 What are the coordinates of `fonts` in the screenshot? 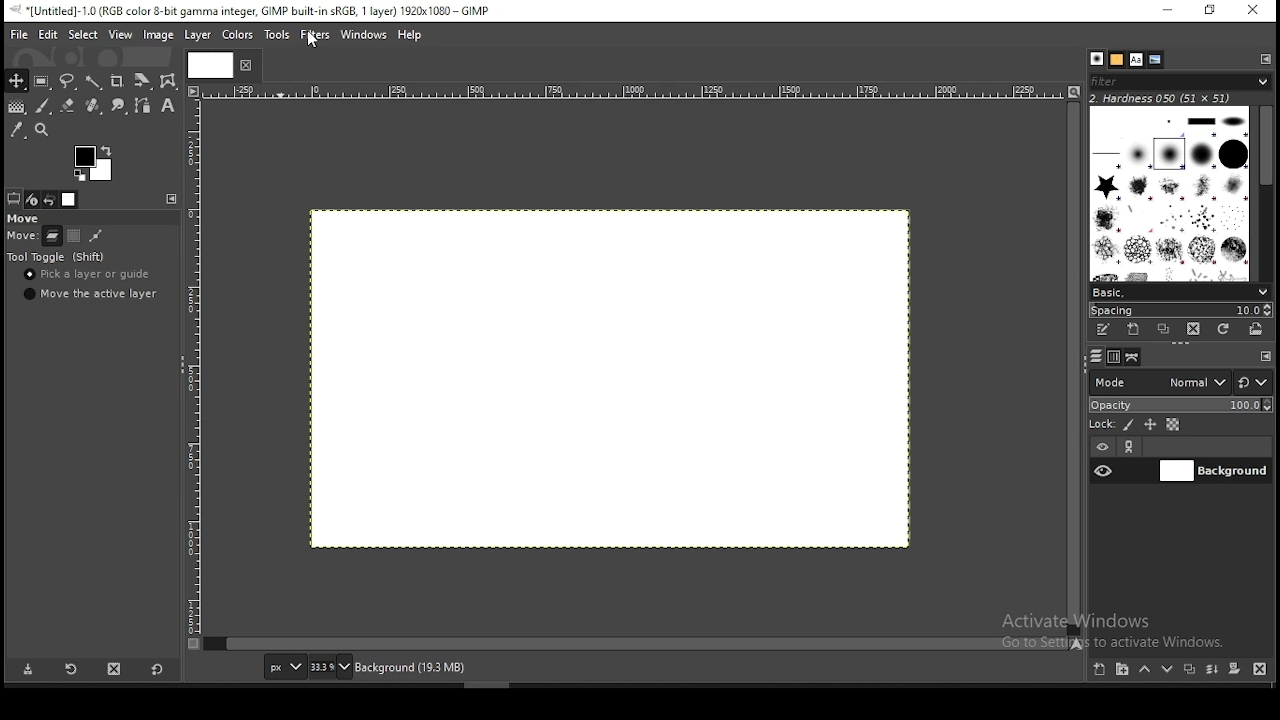 It's located at (1136, 59).